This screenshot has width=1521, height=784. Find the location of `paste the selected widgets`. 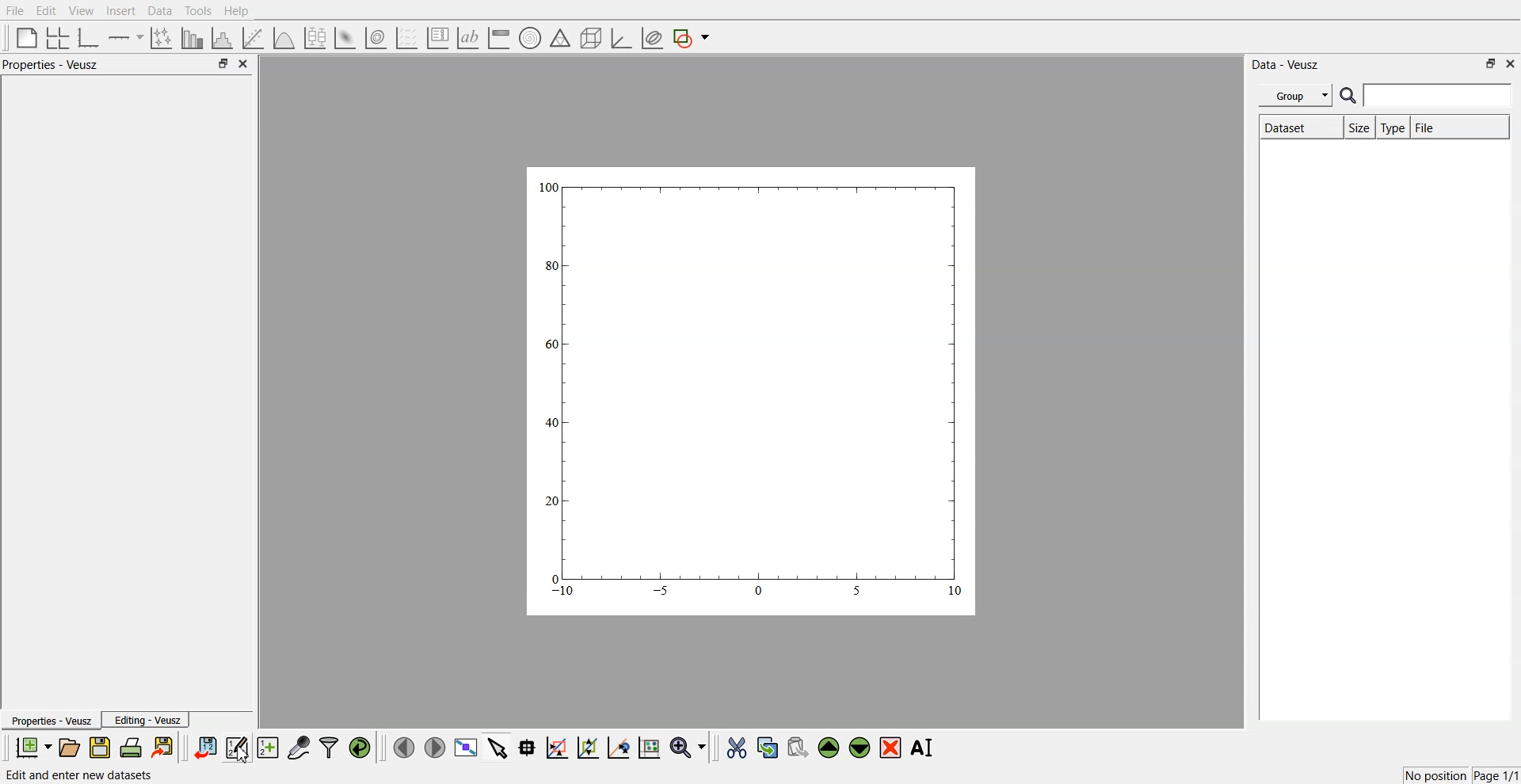

paste the selected widgets is located at coordinates (796, 747).